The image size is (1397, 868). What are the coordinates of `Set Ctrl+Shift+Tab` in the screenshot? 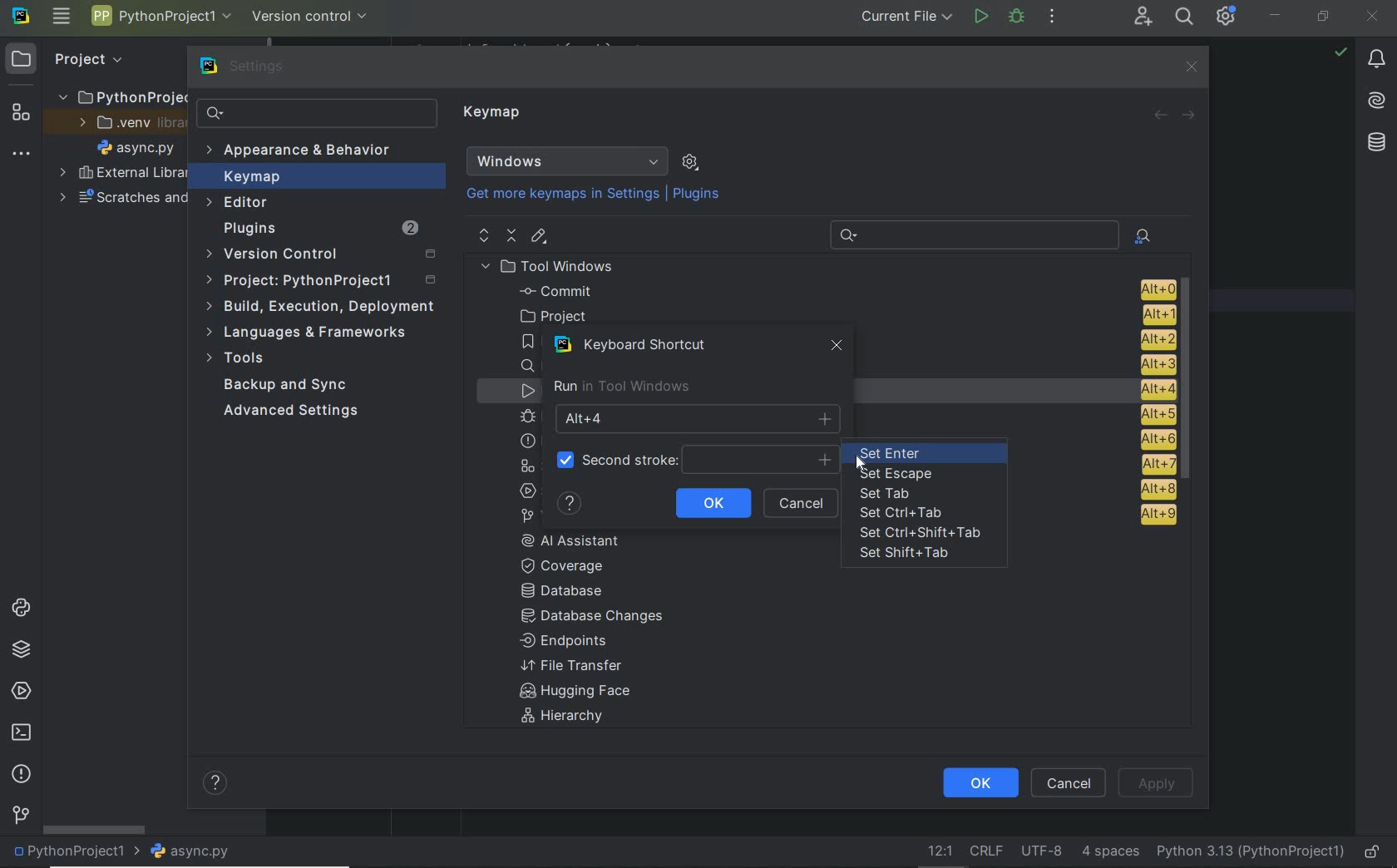 It's located at (923, 533).